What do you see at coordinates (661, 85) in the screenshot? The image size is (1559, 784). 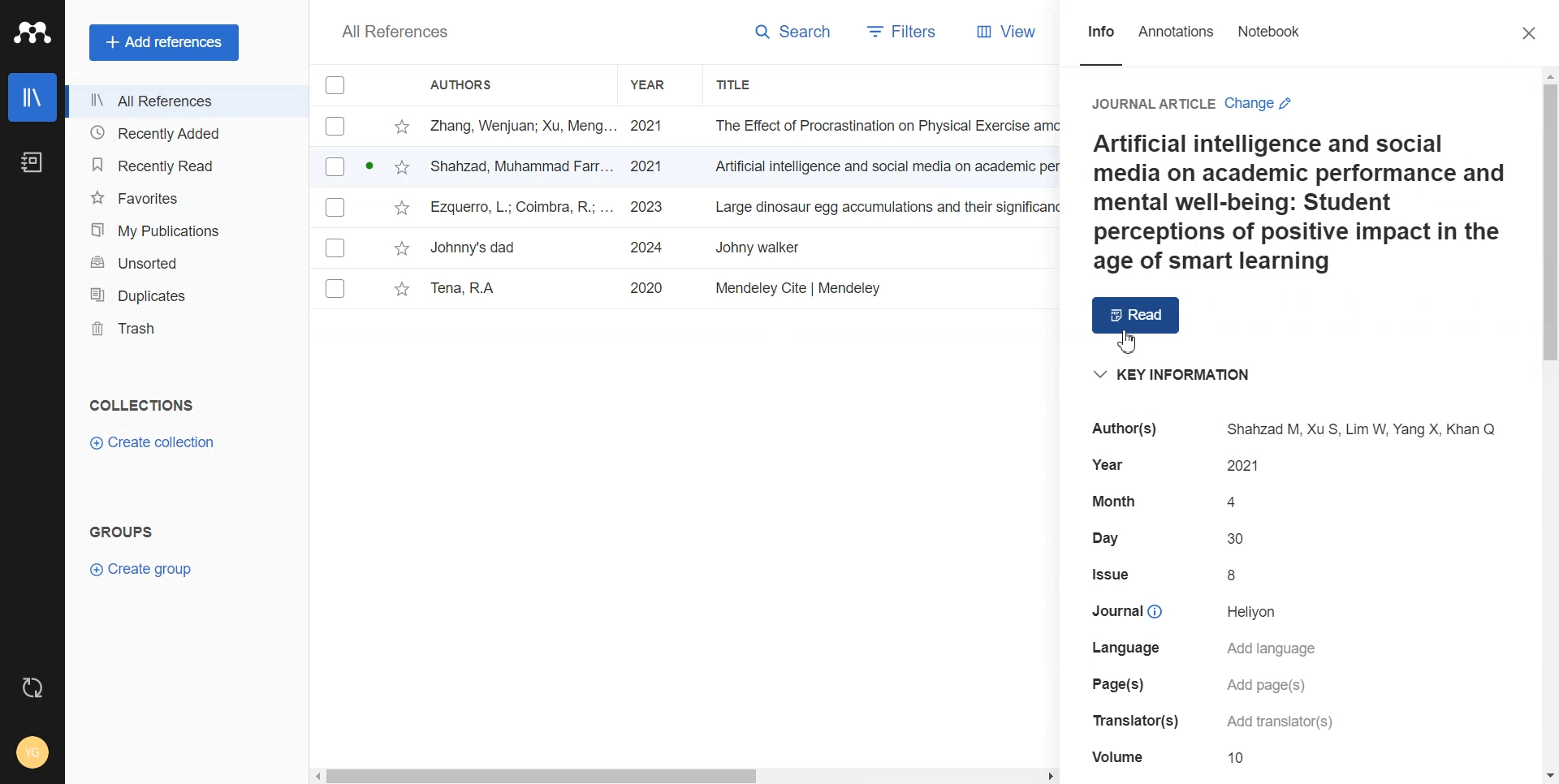 I see `Year` at bounding box center [661, 85].